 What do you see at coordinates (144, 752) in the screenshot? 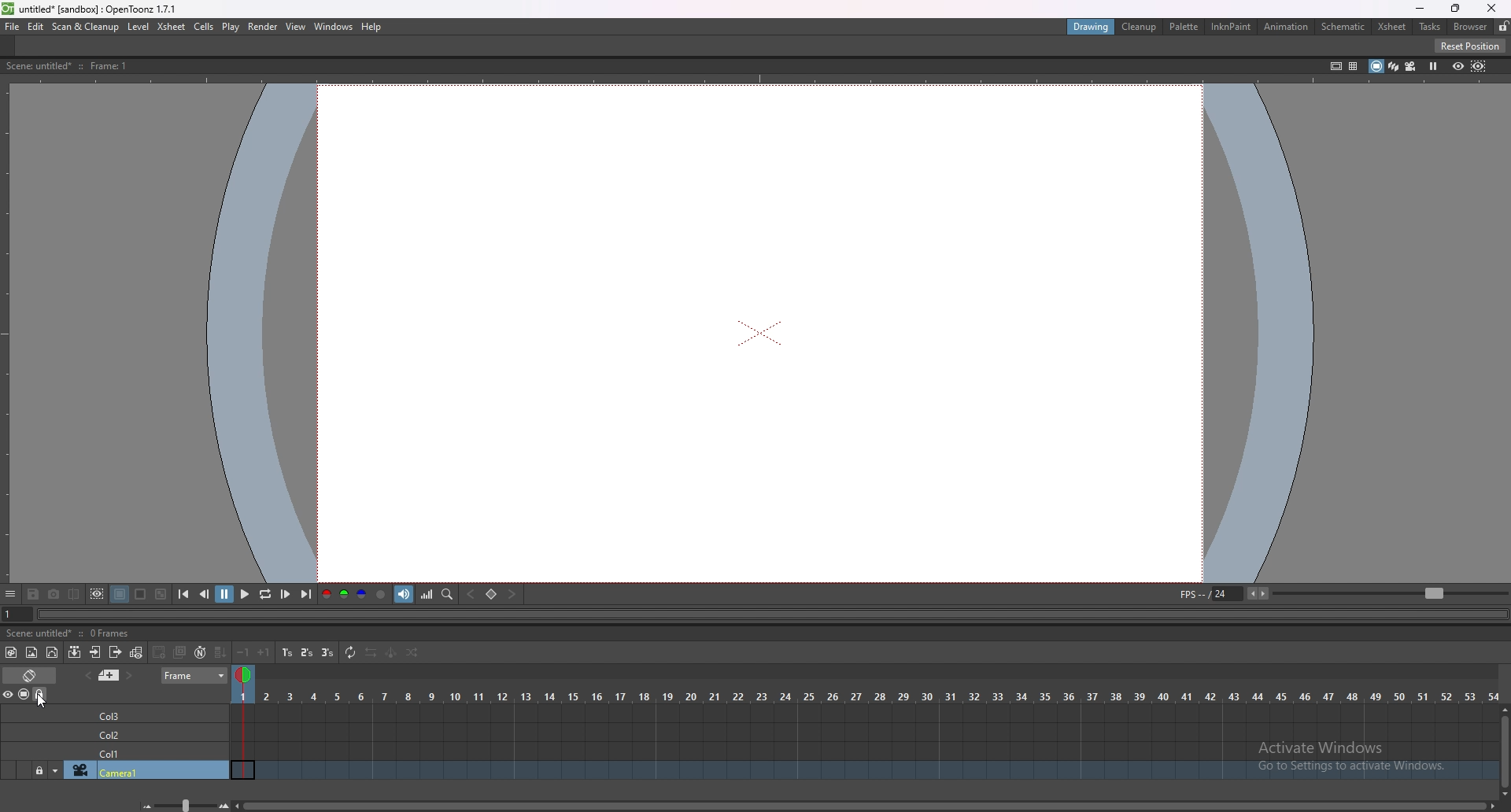
I see `column 1` at bounding box center [144, 752].